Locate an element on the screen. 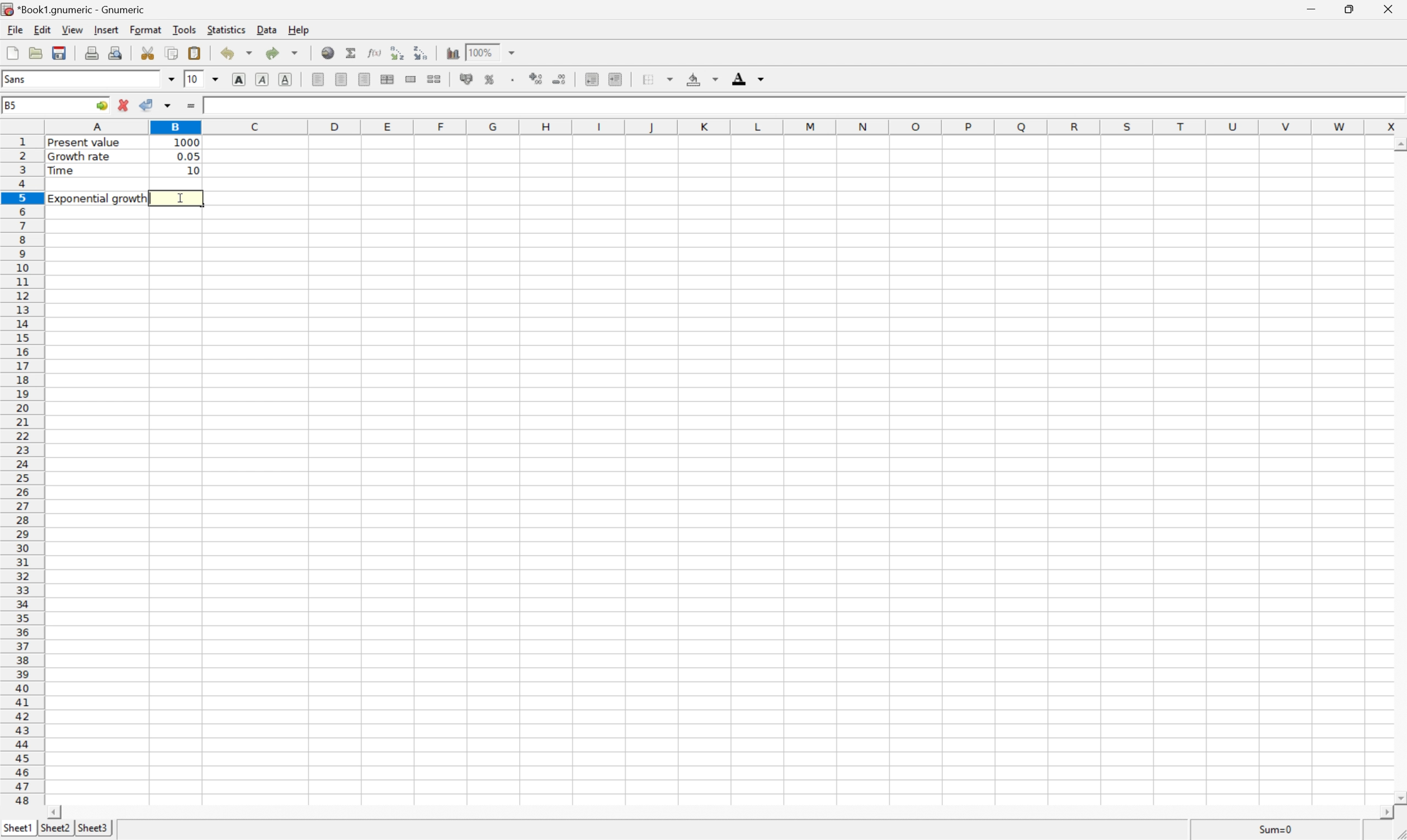 This screenshot has width=1407, height=840. Restore Down is located at coordinates (1353, 8).